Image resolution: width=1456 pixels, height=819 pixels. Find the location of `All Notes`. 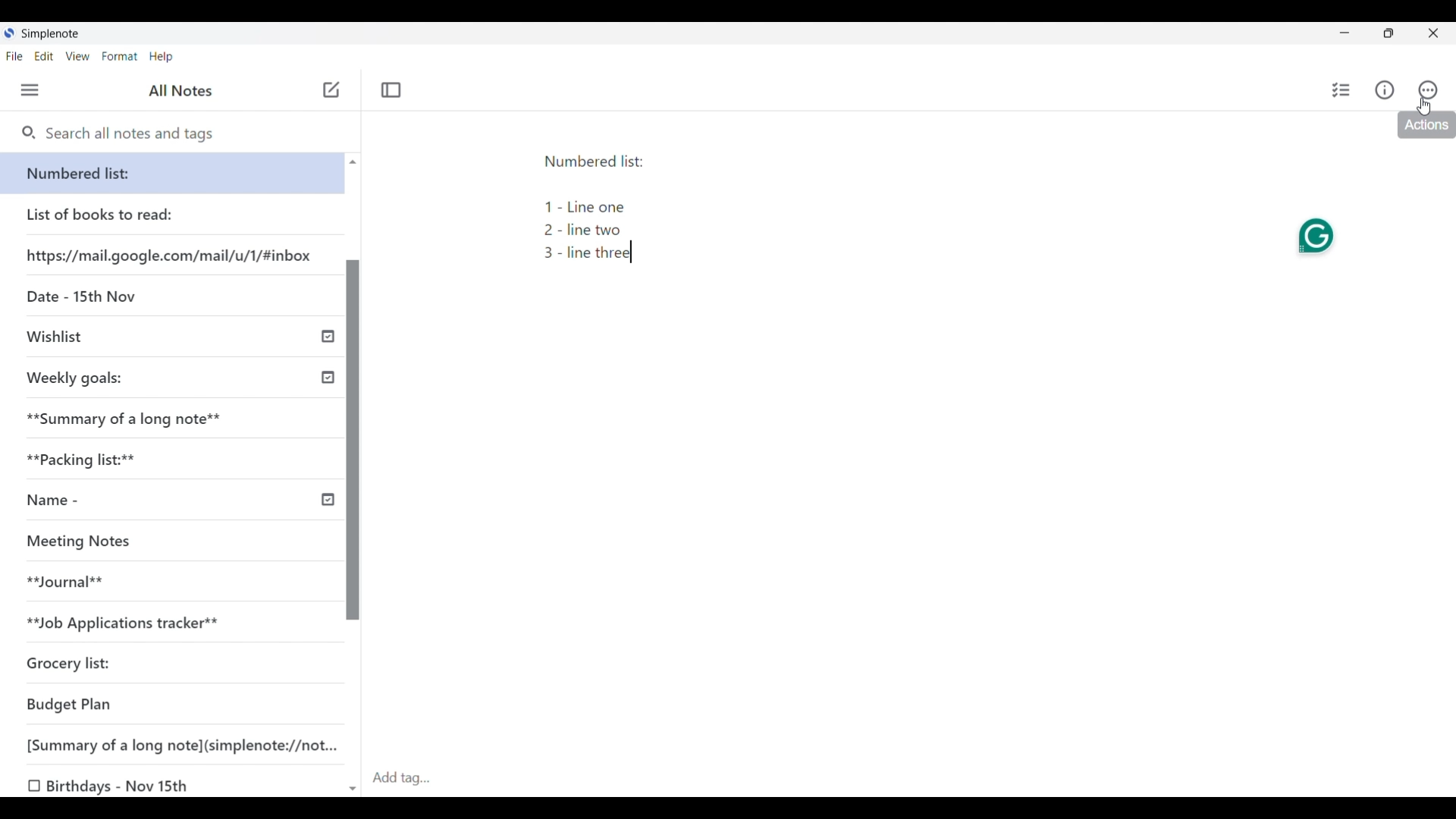

All Notes is located at coordinates (193, 92).